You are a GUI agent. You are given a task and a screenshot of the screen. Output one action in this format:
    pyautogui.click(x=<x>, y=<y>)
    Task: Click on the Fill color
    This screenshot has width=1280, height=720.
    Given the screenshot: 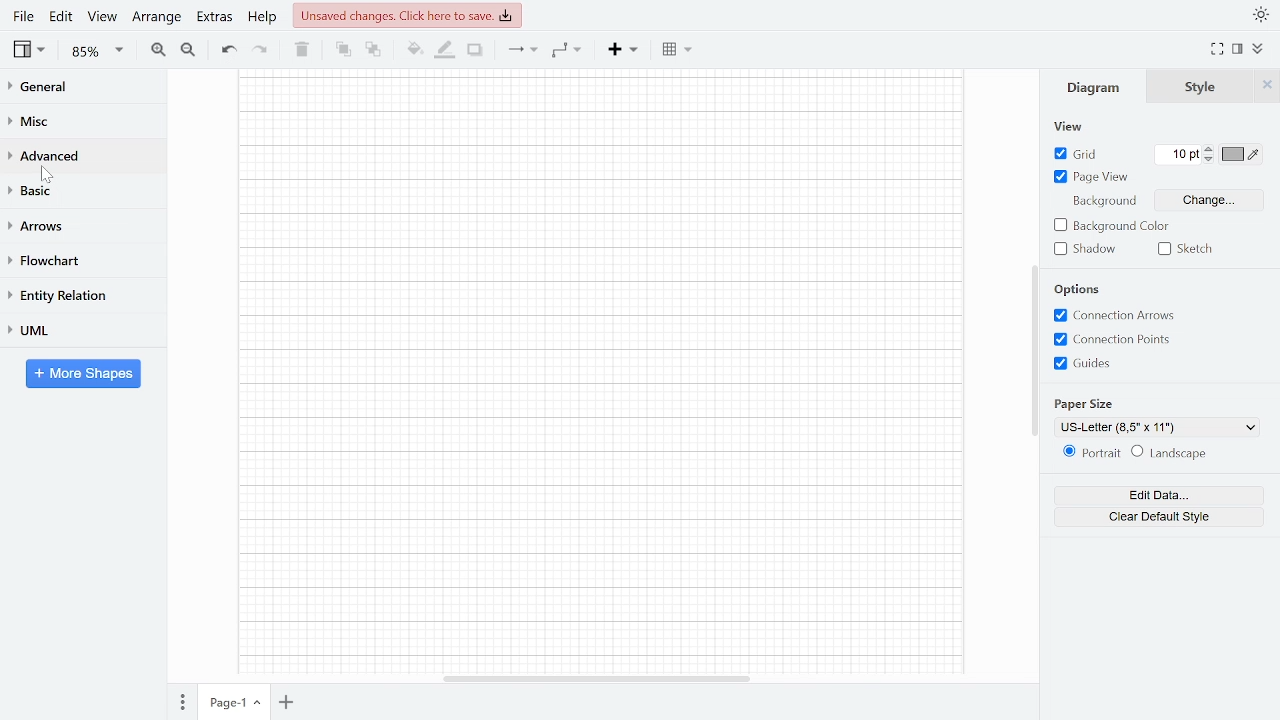 What is the action you would take?
    pyautogui.click(x=414, y=52)
    